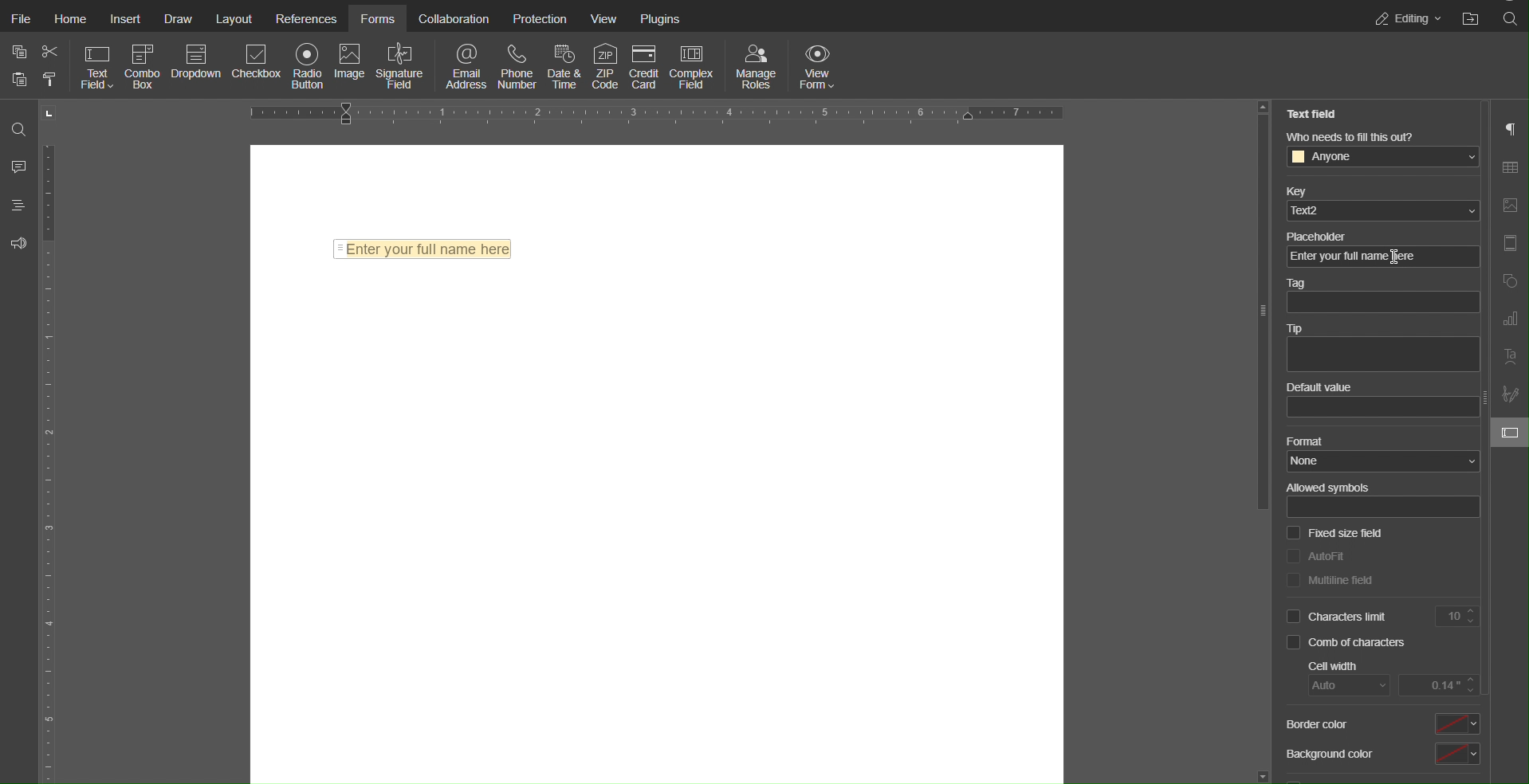 The height and width of the screenshot is (784, 1529). Describe the element at coordinates (1508, 282) in the screenshot. I see `Shape Settings` at that location.